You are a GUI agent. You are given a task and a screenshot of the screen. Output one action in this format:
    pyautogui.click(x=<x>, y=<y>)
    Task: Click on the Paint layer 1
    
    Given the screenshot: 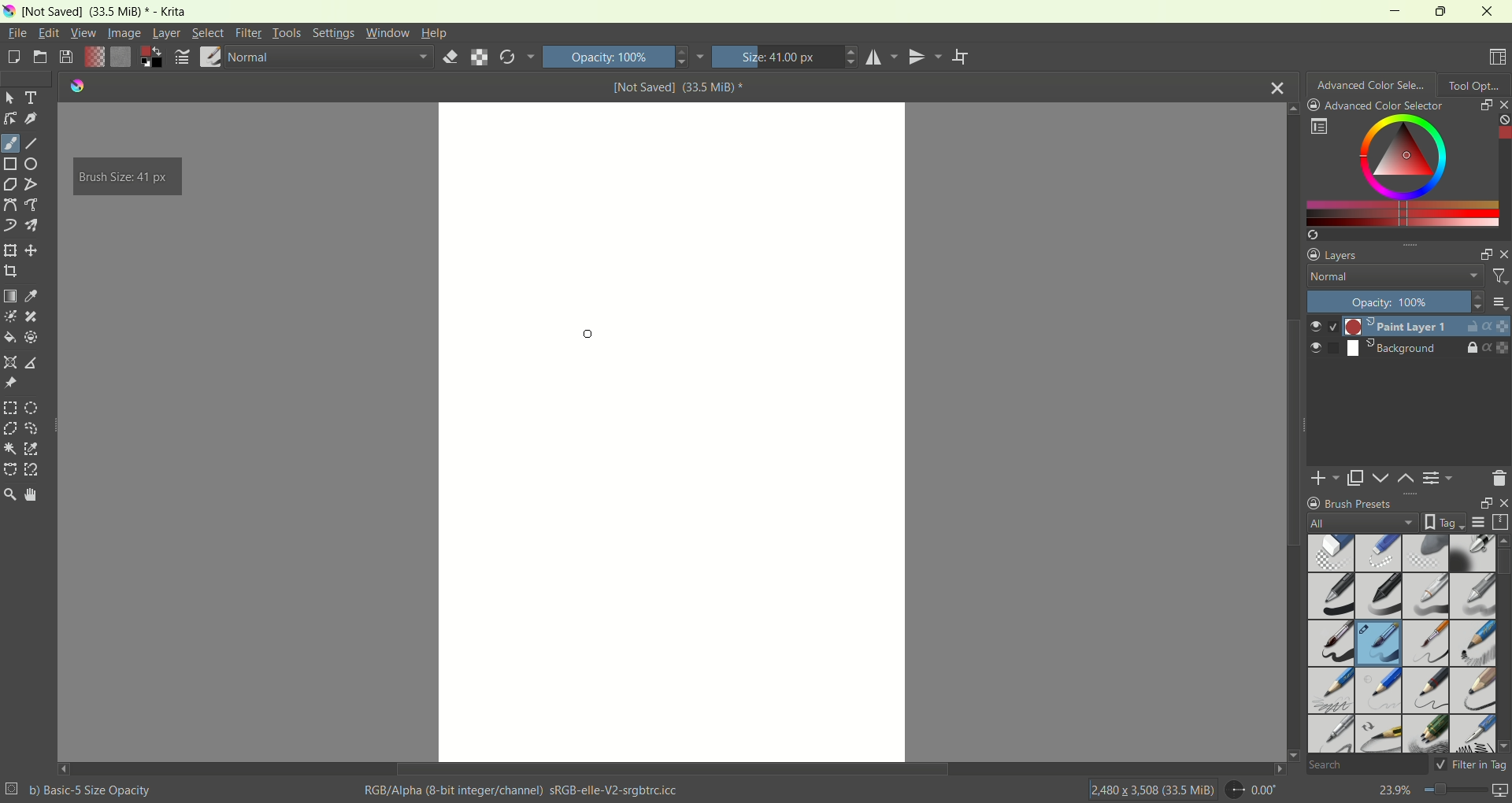 What is the action you would take?
    pyautogui.click(x=1378, y=326)
    